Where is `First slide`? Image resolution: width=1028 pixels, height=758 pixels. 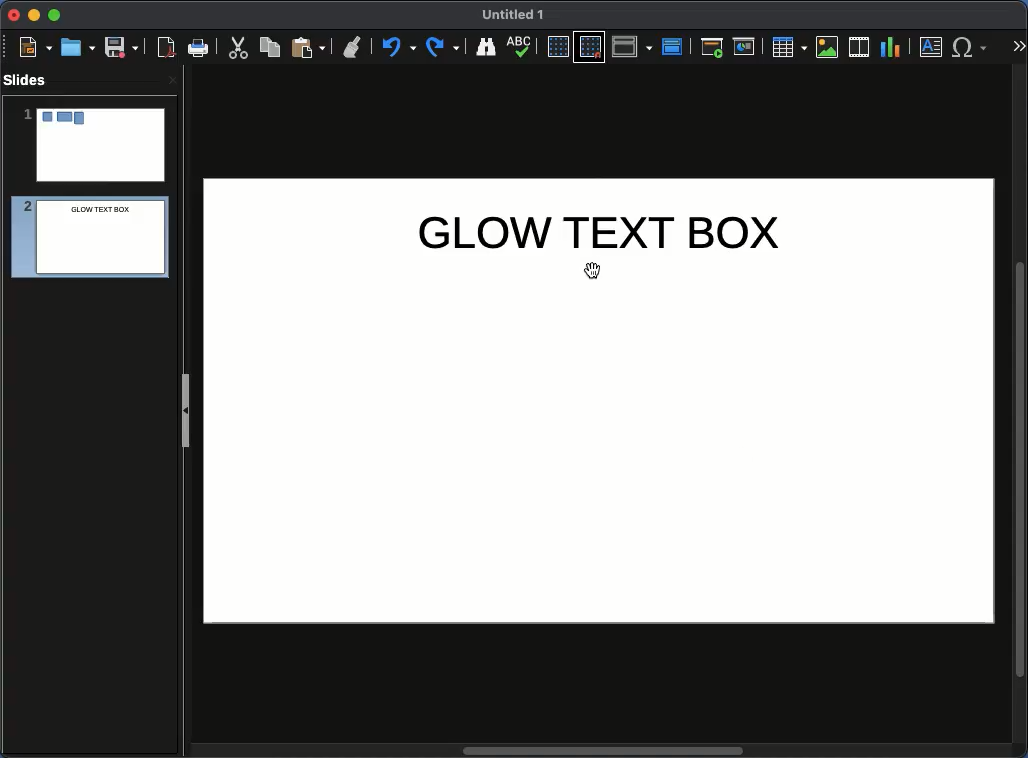 First slide is located at coordinates (712, 47).